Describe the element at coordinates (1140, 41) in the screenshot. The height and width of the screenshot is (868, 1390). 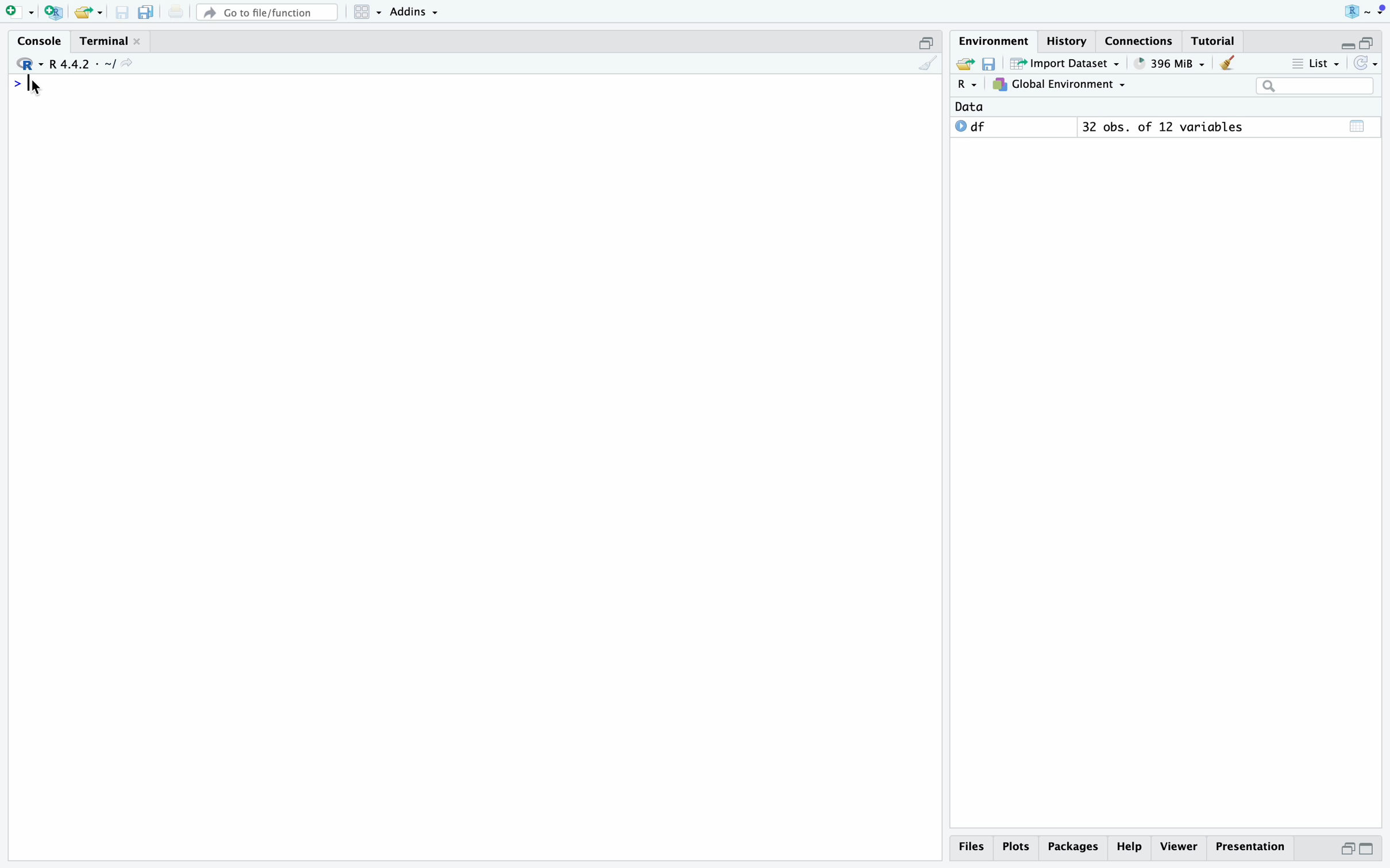
I see `connections` at that location.